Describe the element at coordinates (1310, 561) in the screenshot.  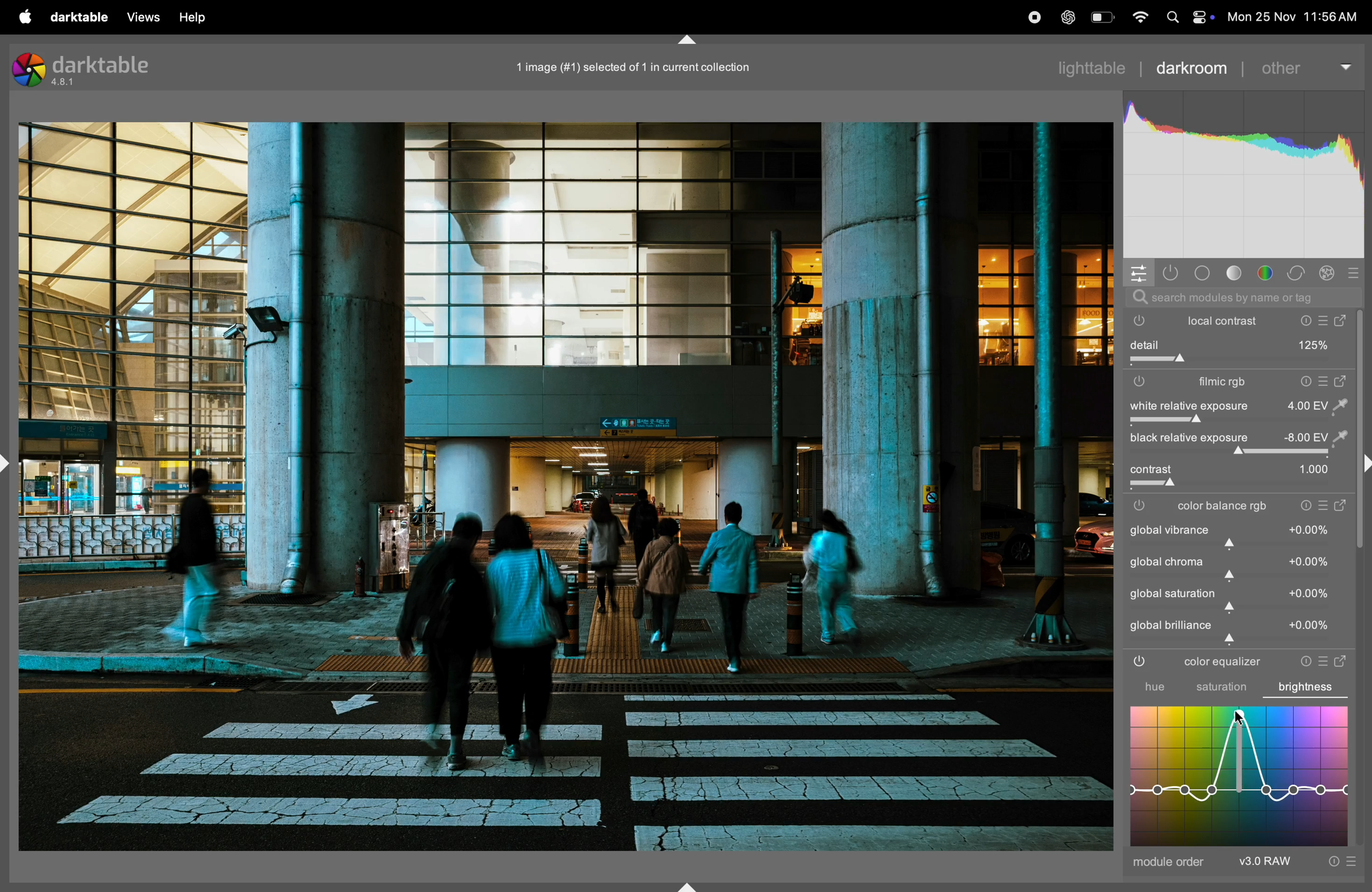
I see `value` at that location.